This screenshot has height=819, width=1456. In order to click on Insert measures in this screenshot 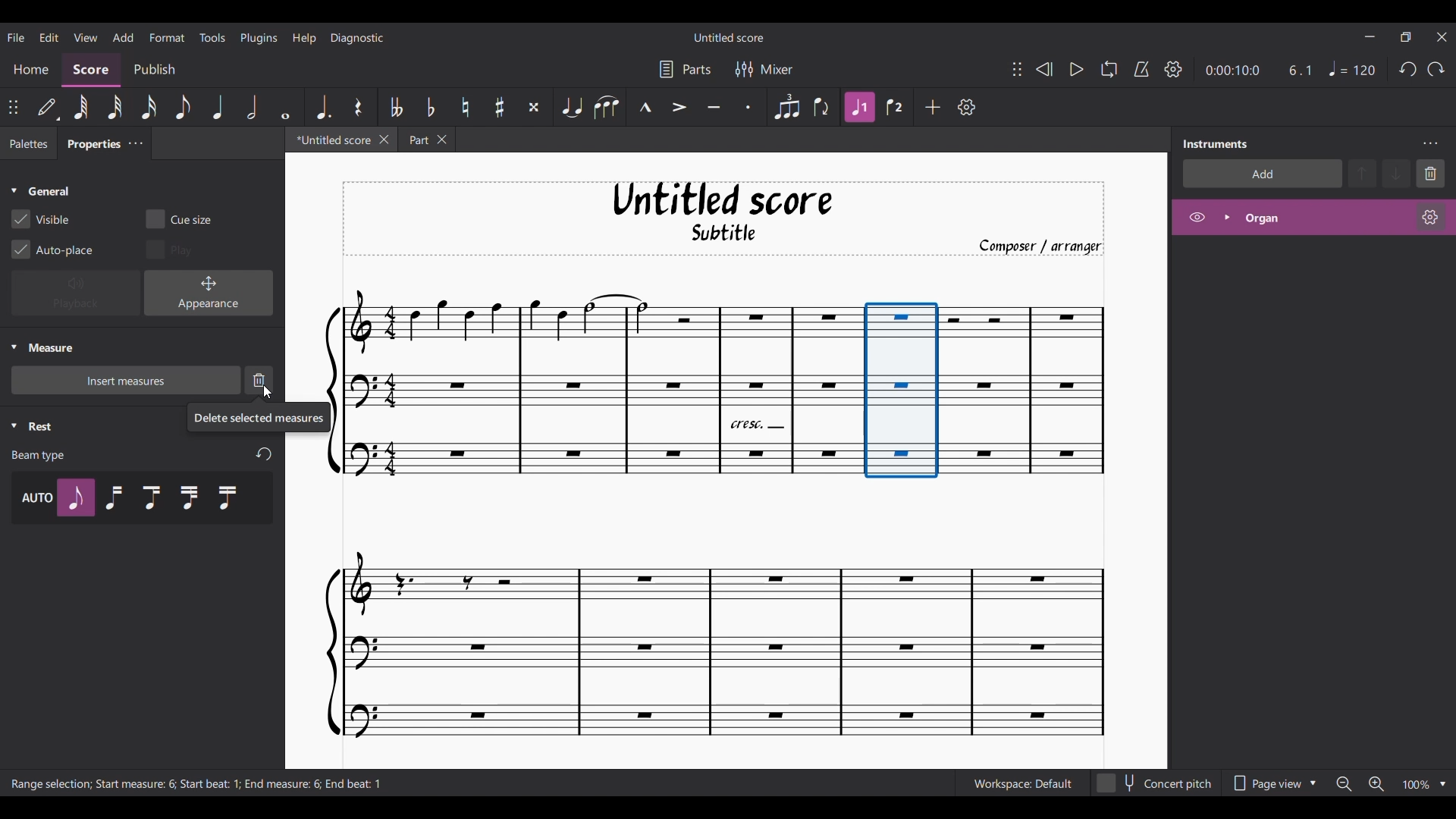, I will do `click(126, 380)`.